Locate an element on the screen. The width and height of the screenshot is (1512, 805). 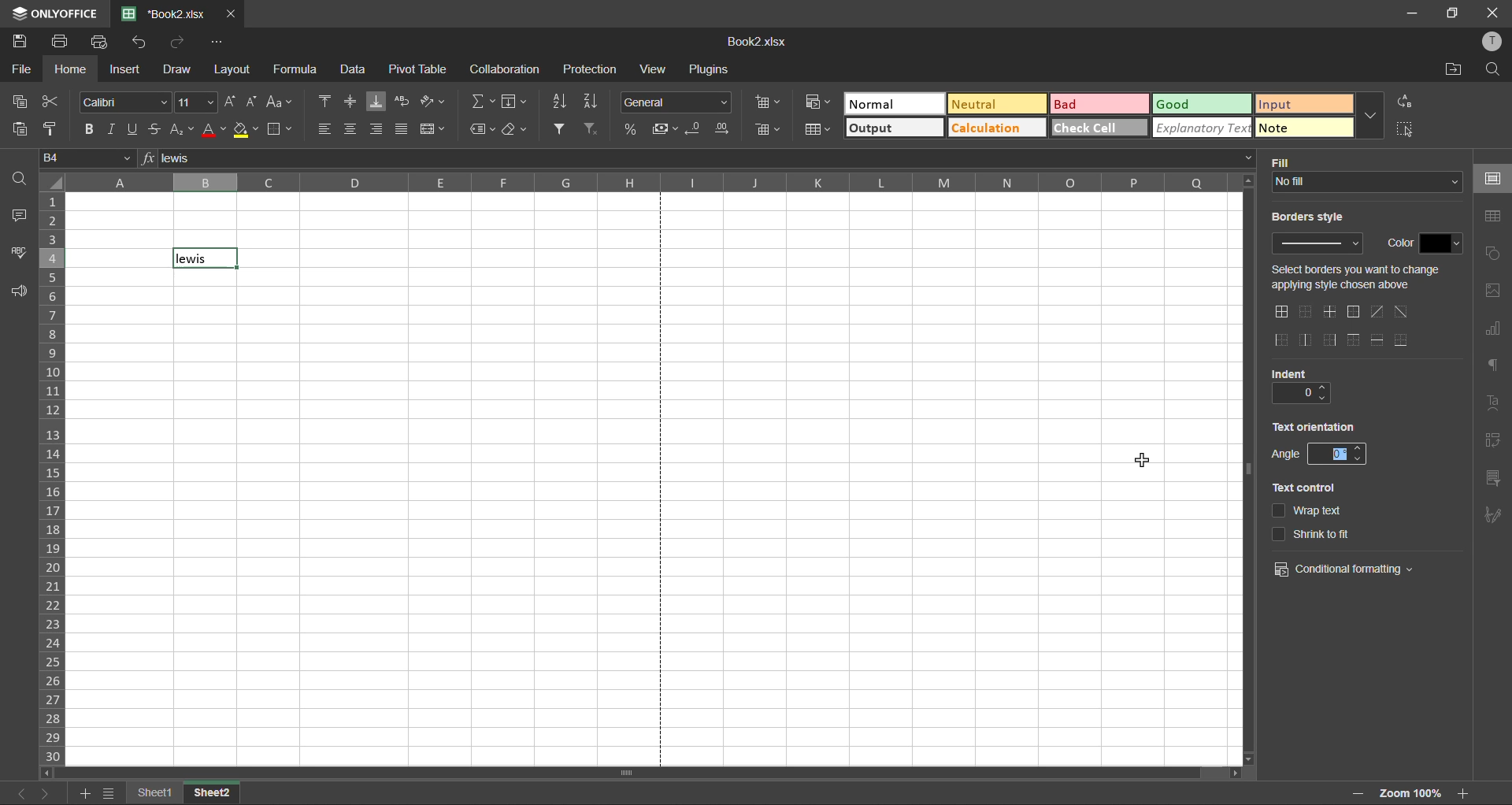
formula is located at coordinates (297, 70).